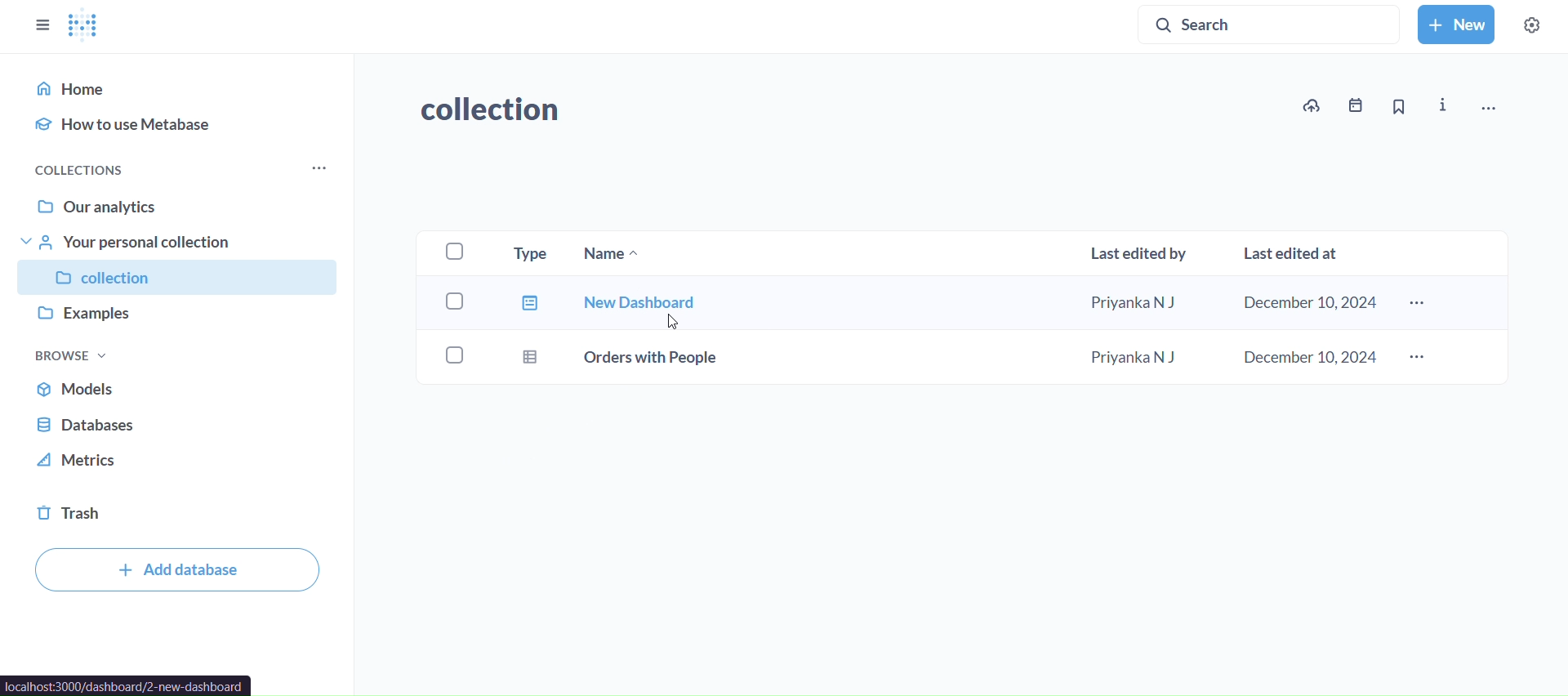  I want to click on move, trash and more, so click(1491, 109).